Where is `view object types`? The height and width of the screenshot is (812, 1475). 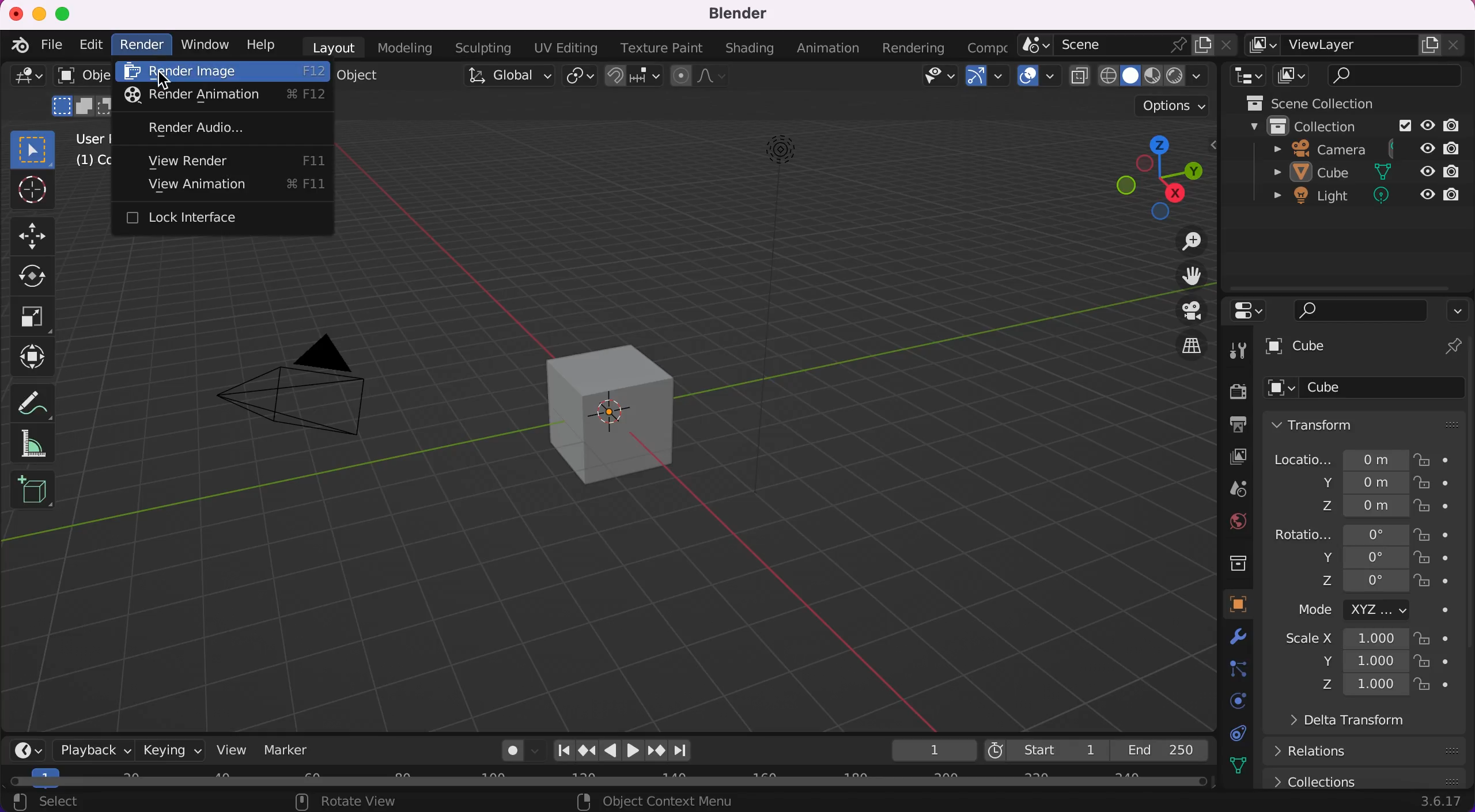 view object types is located at coordinates (936, 78).